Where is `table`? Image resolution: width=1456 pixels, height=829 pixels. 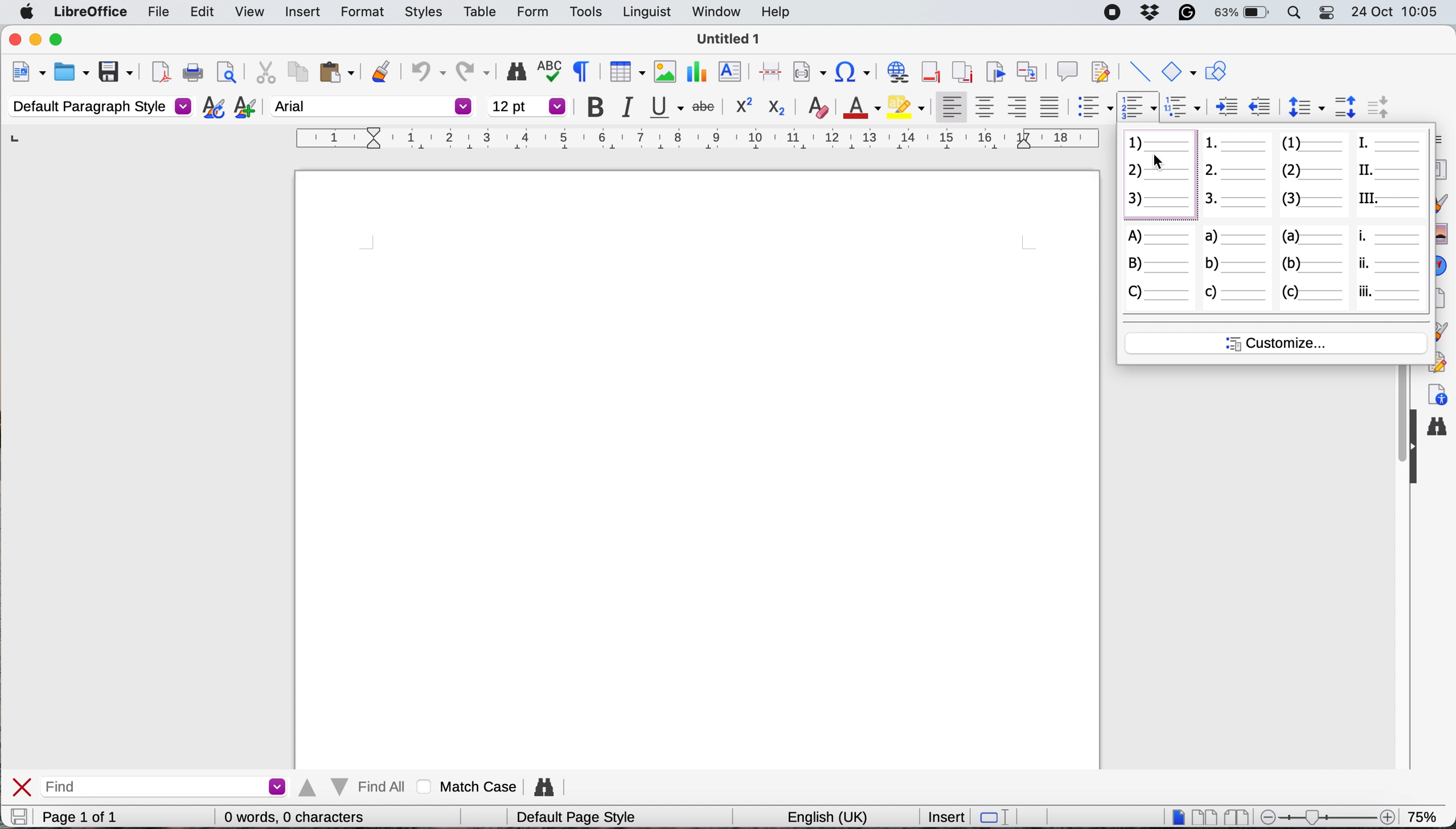
table is located at coordinates (483, 11).